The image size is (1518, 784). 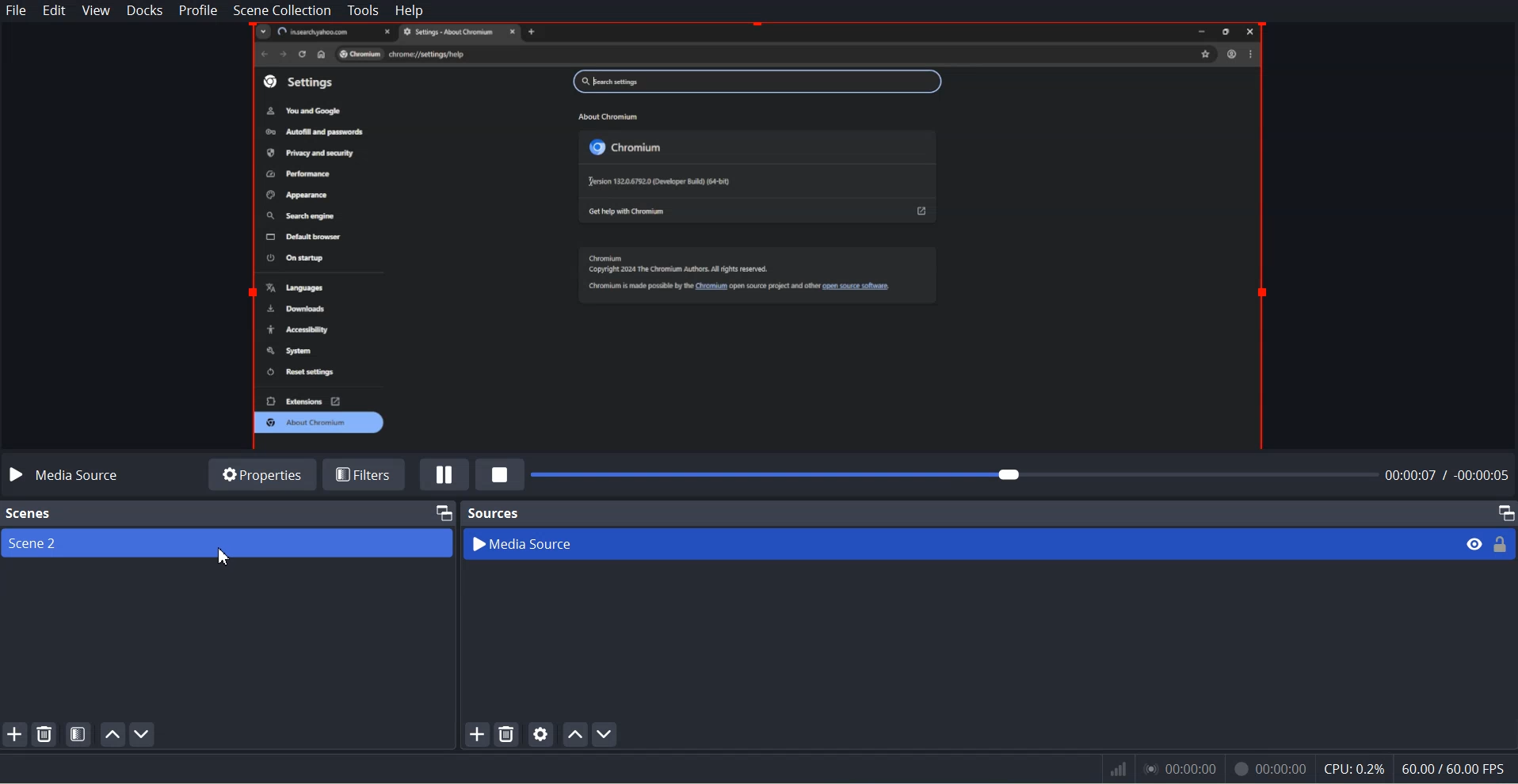 I want to click on Tools, so click(x=362, y=10).